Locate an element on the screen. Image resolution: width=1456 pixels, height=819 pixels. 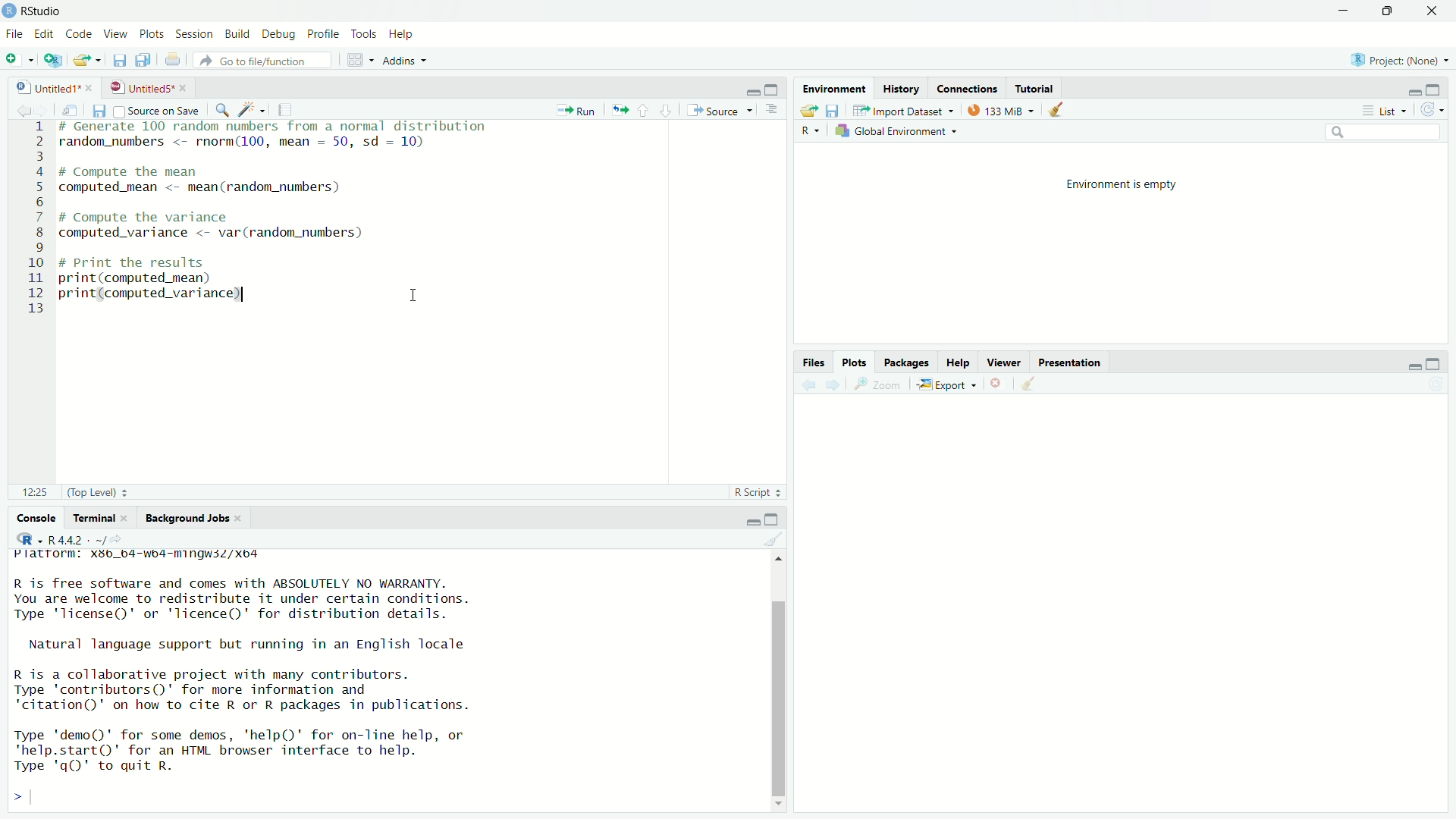
new file is located at coordinates (18, 58).